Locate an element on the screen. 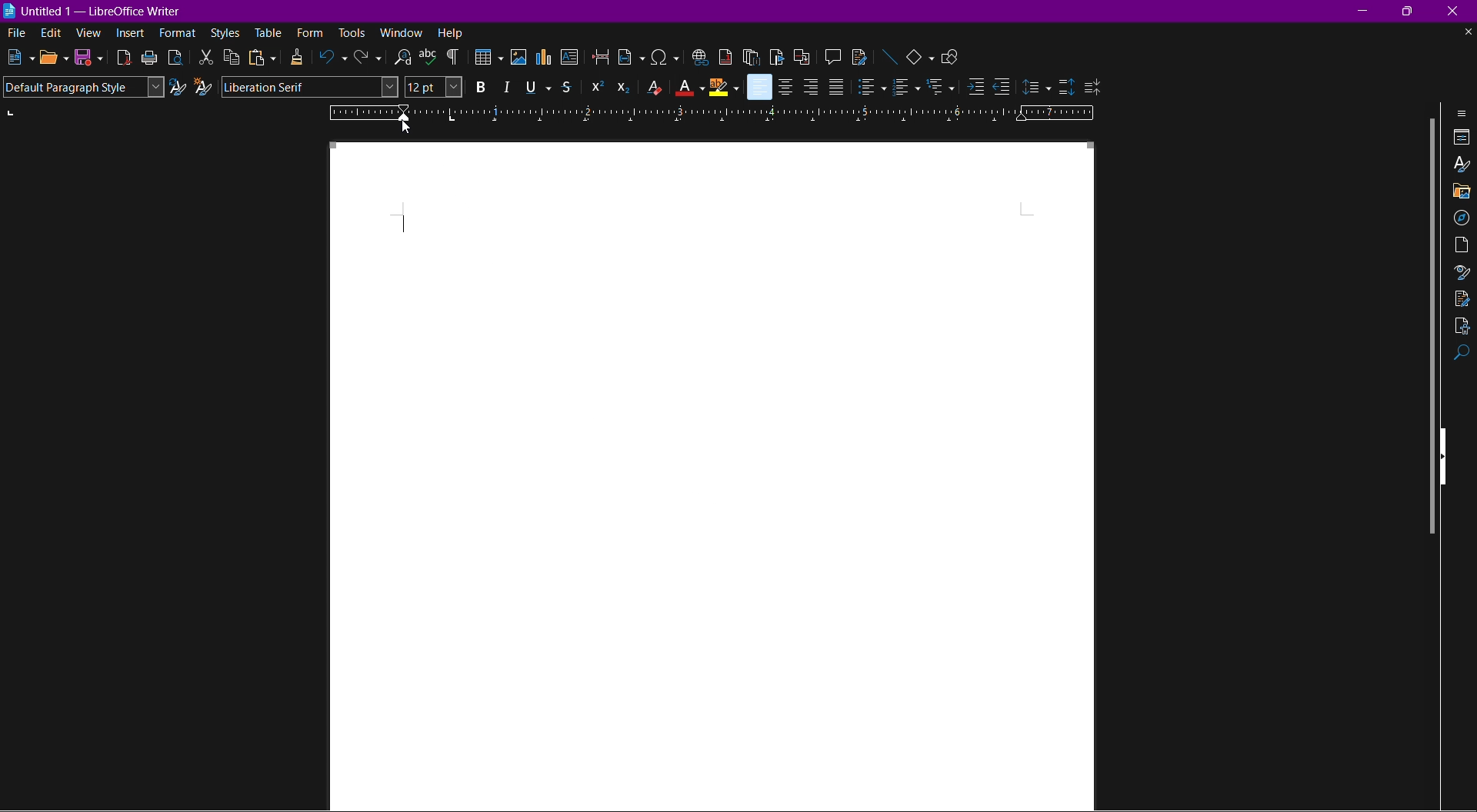  window is located at coordinates (403, 32).